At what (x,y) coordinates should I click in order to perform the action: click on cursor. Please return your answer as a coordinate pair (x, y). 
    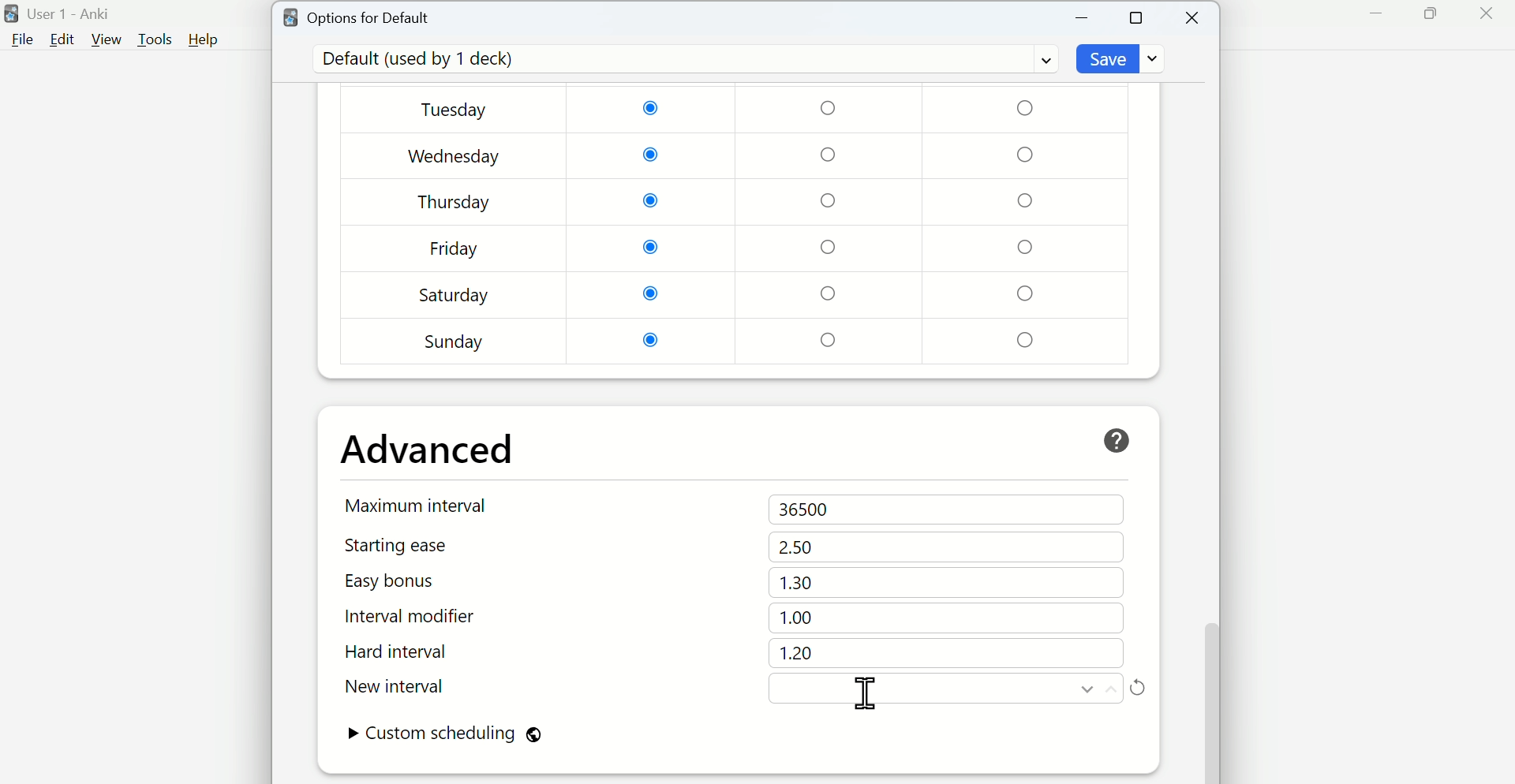
    Looking at the image, I should click on (866, 693).